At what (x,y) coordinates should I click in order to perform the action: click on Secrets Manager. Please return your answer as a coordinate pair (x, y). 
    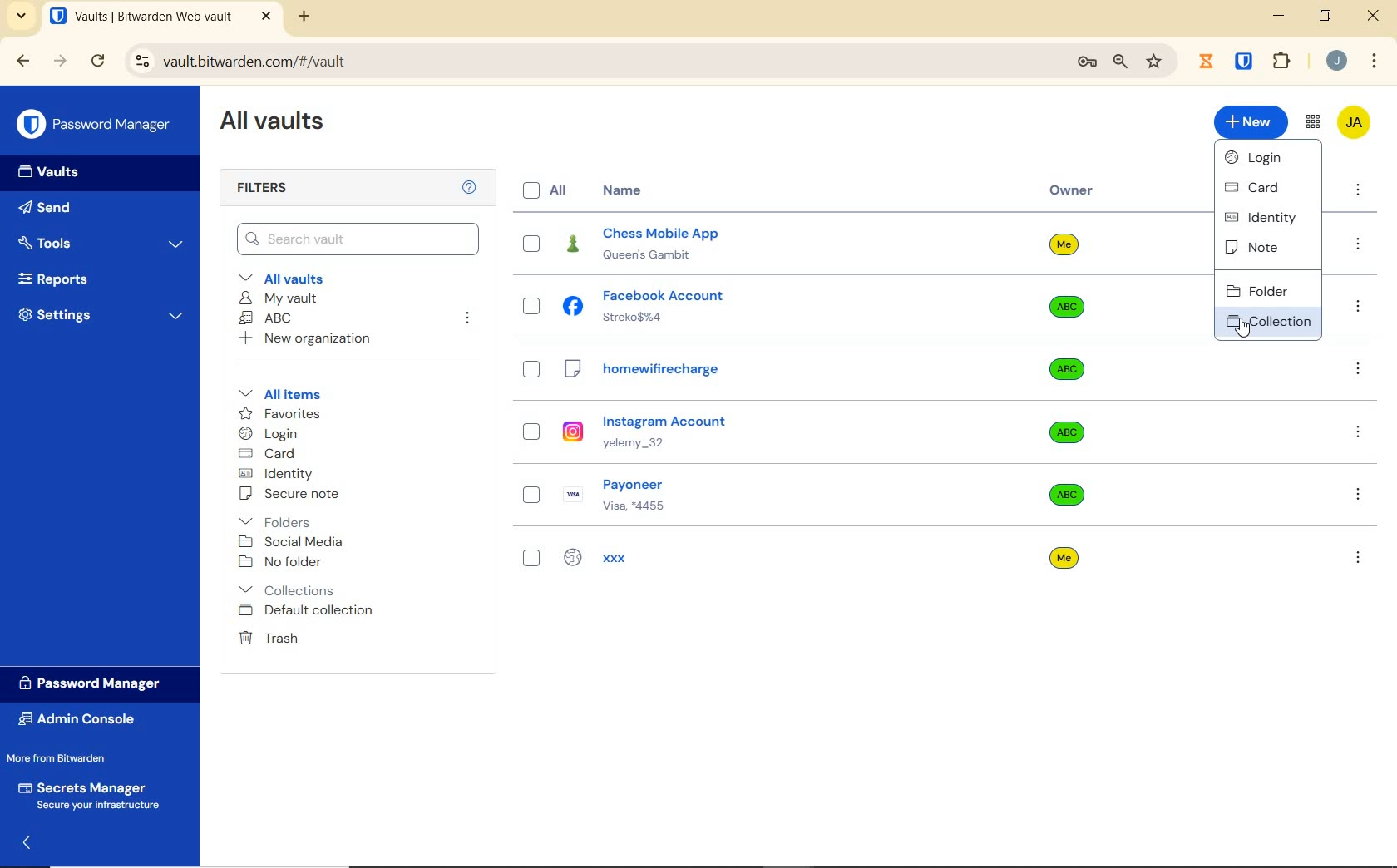
    Looking at the image, I should click on (93, 796).